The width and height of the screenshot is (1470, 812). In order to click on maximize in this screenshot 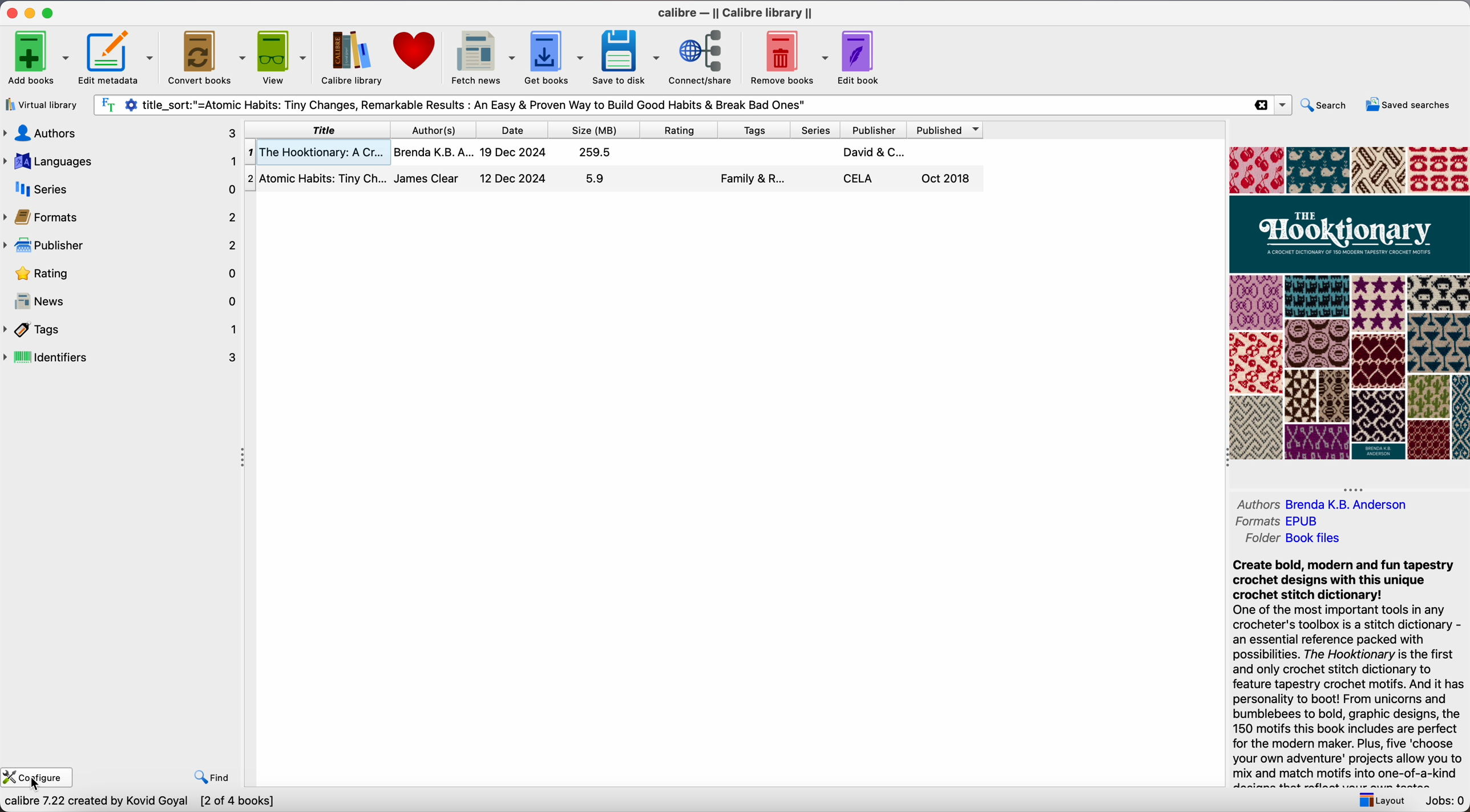, I will do `click(50, 12)`.